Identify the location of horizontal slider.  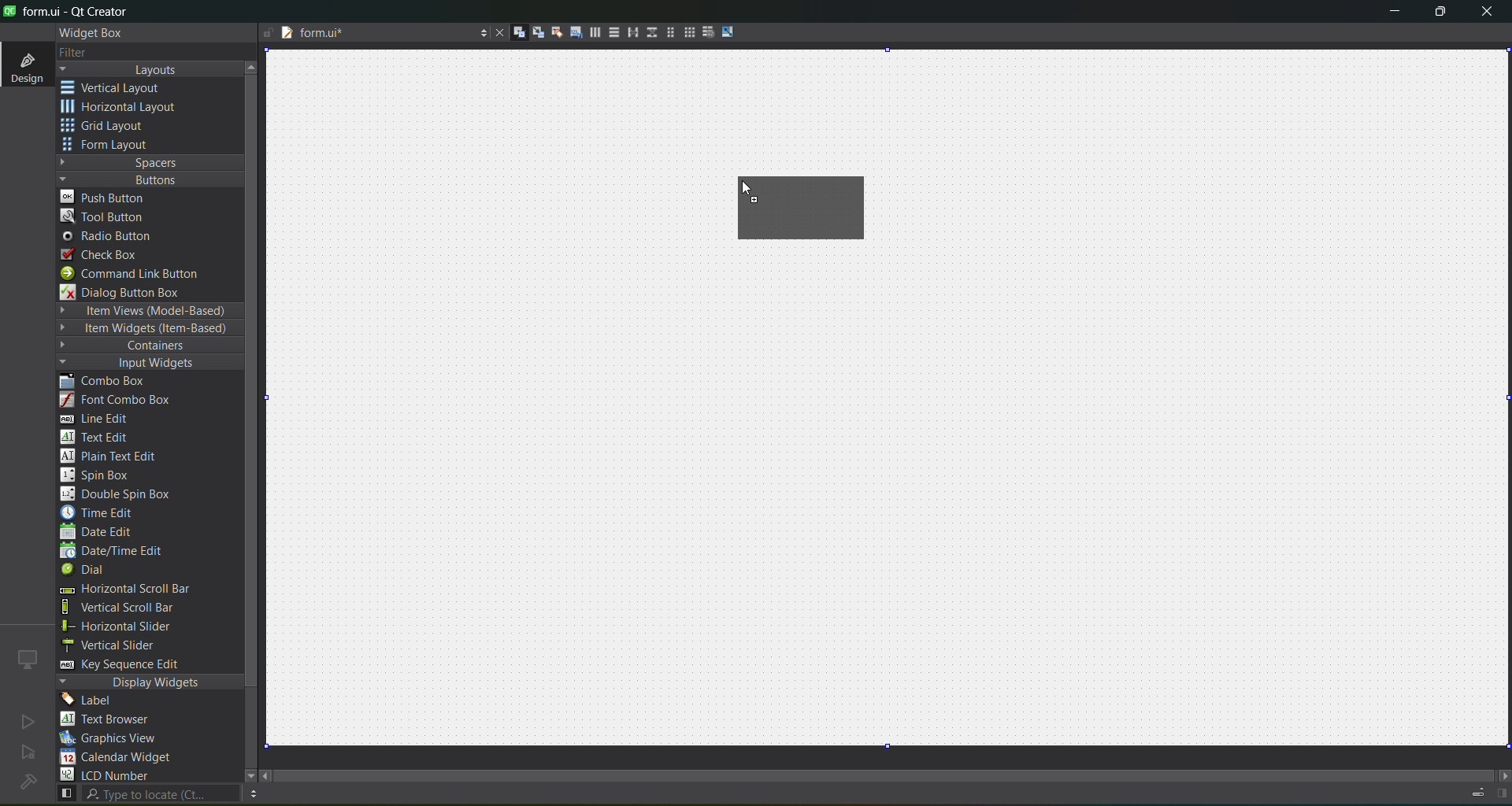
(134, 627).